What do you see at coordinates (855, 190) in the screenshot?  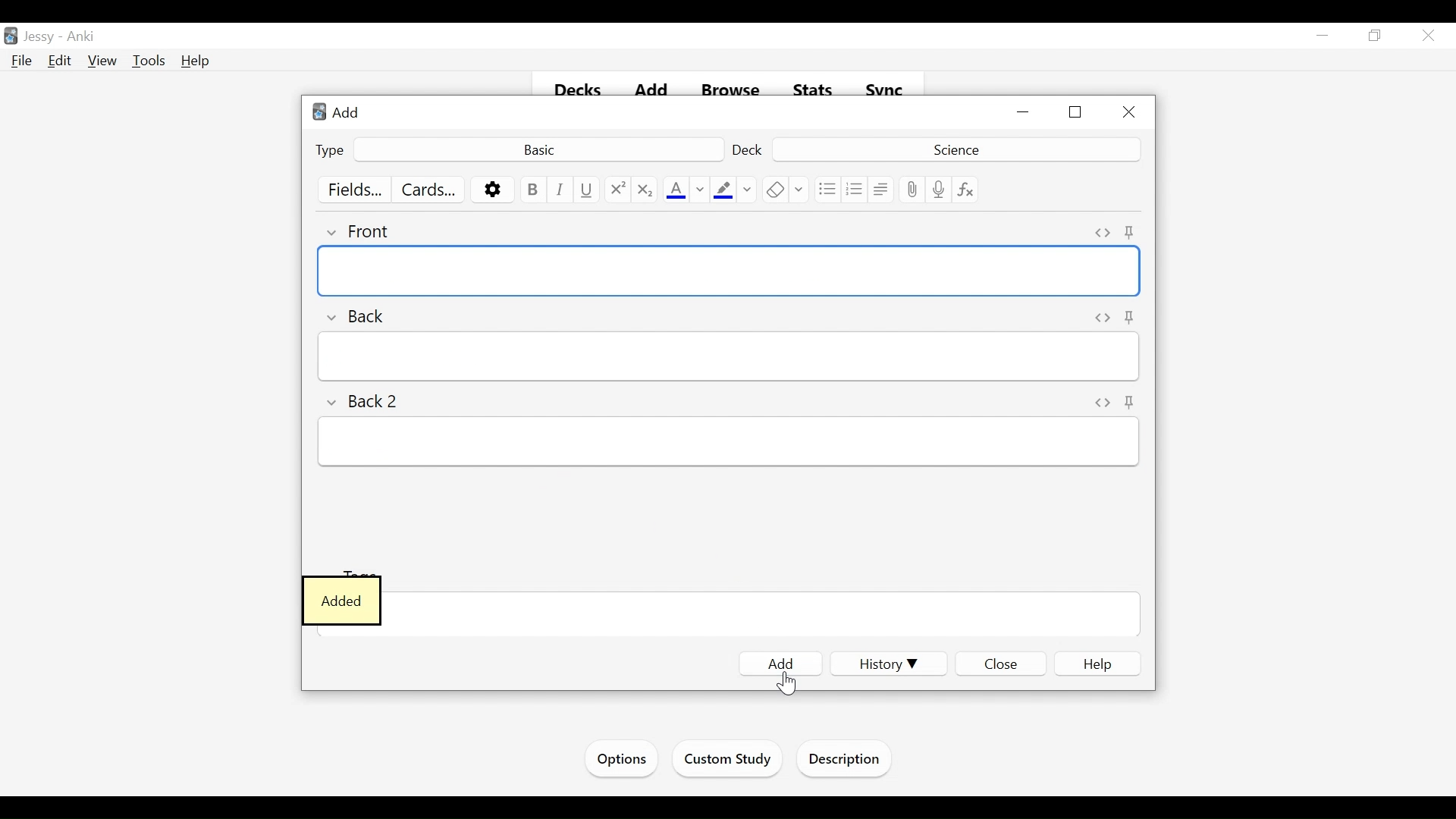 I see `Ordered list` at bounding box center [855, 190].